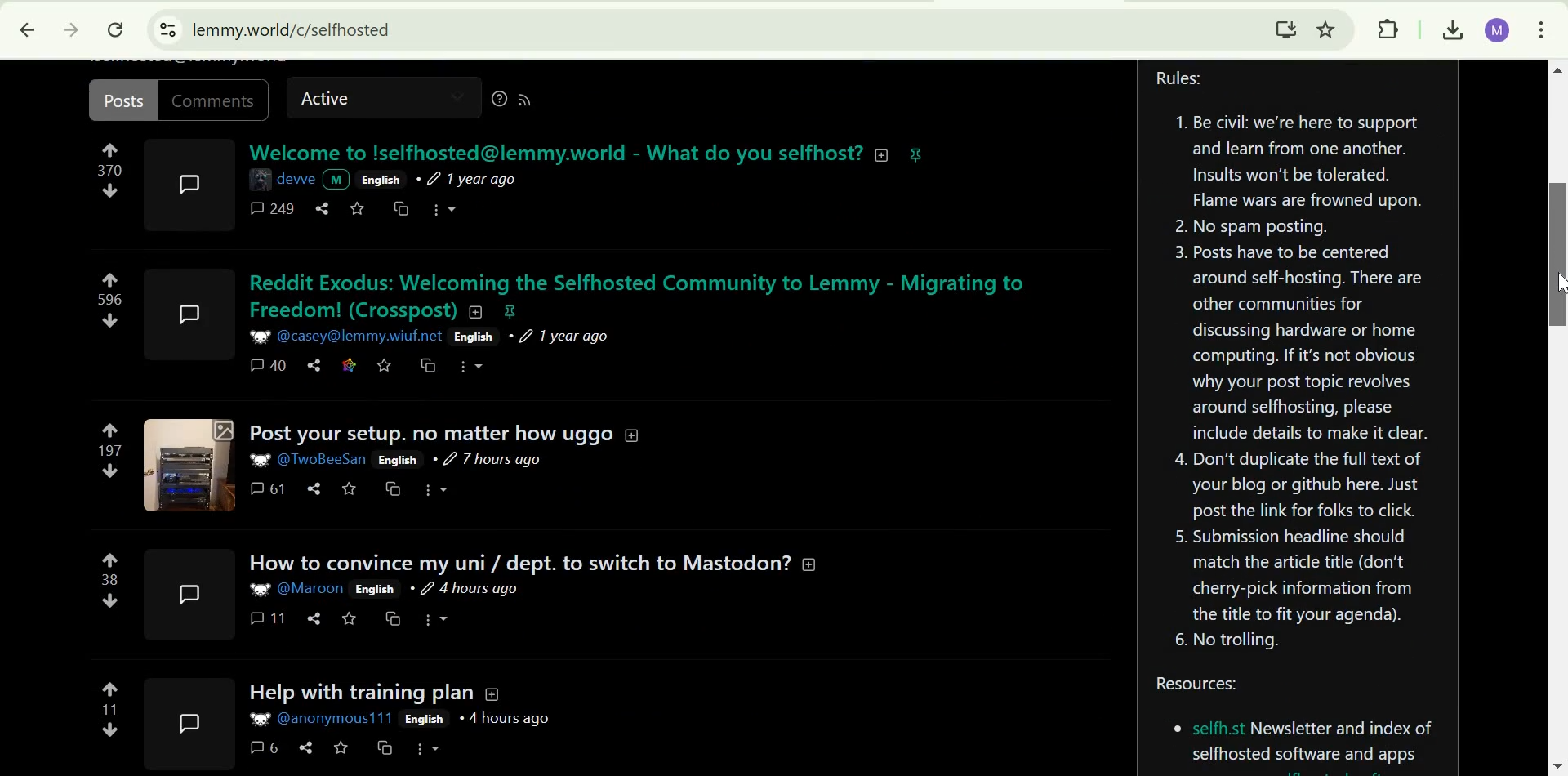 This screenshot has height=776, width=1568. What do you see at coordinates (360, 337) in the screenshot?
I see `user ID` at bounding box center [360, 337].